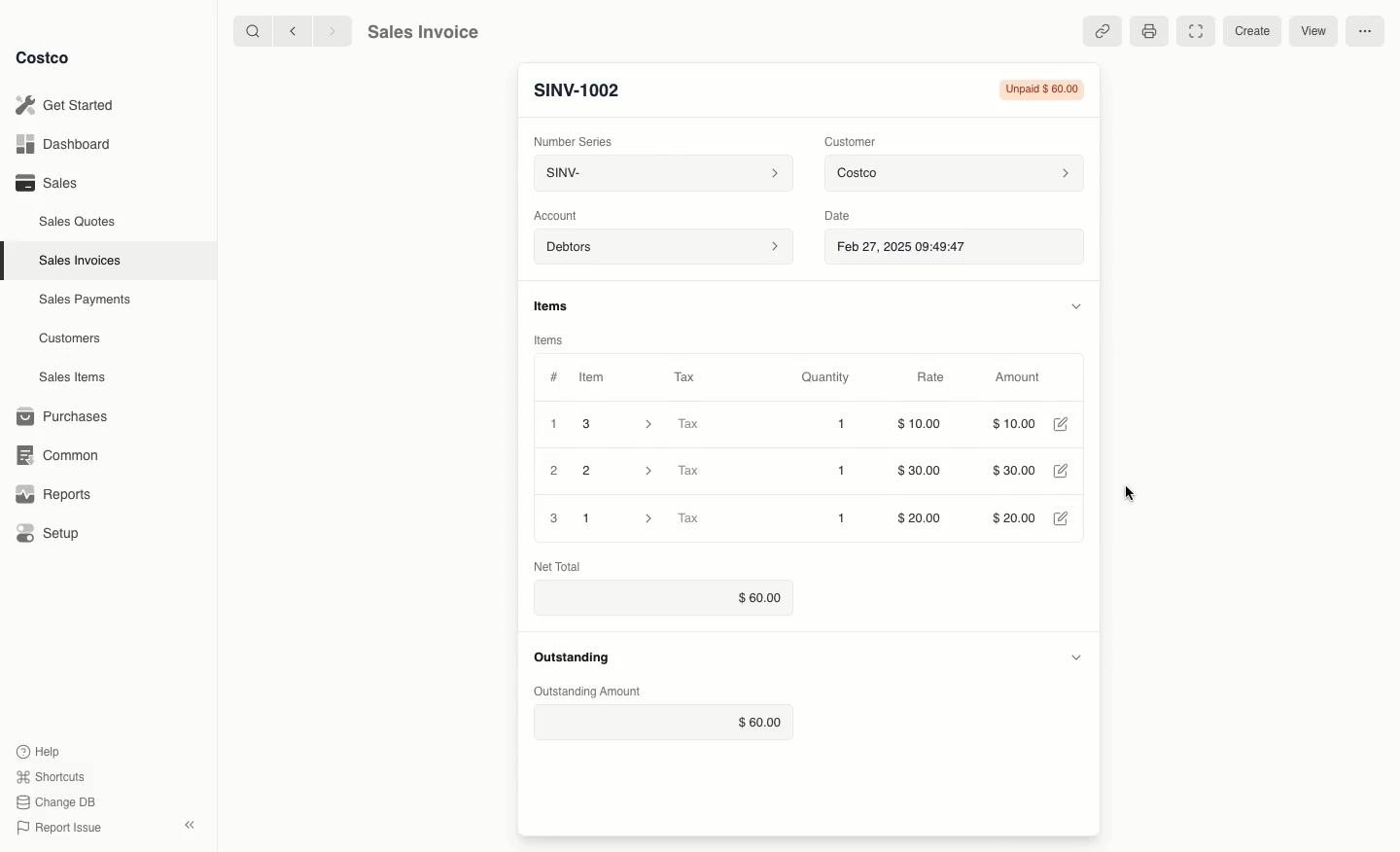  What do you see at coordinates (552, 518) in the screenshot?
I see `3` at bounding box center [552, 518].